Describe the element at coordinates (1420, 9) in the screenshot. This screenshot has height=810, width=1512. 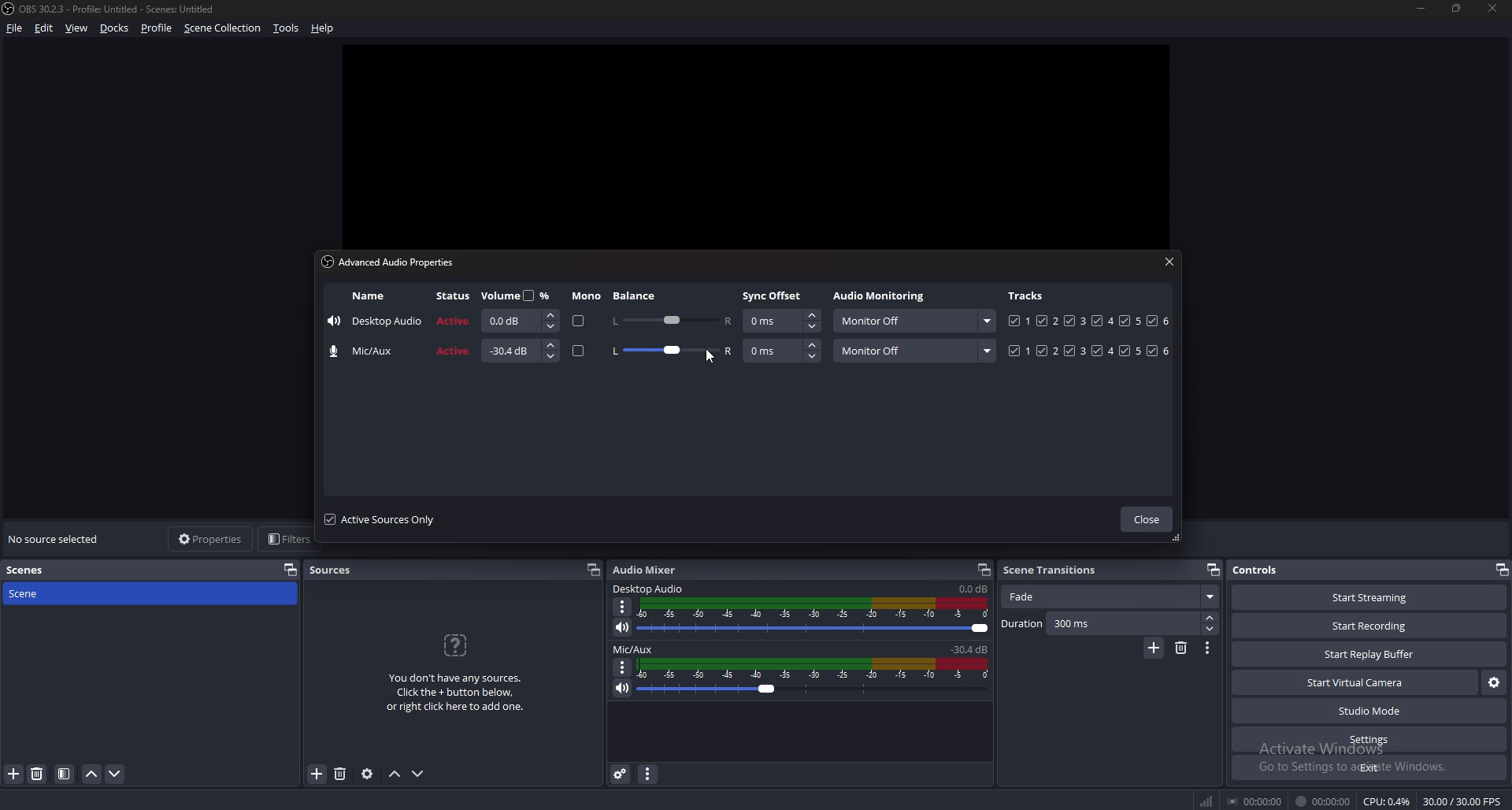
I see `minimize` at that location.